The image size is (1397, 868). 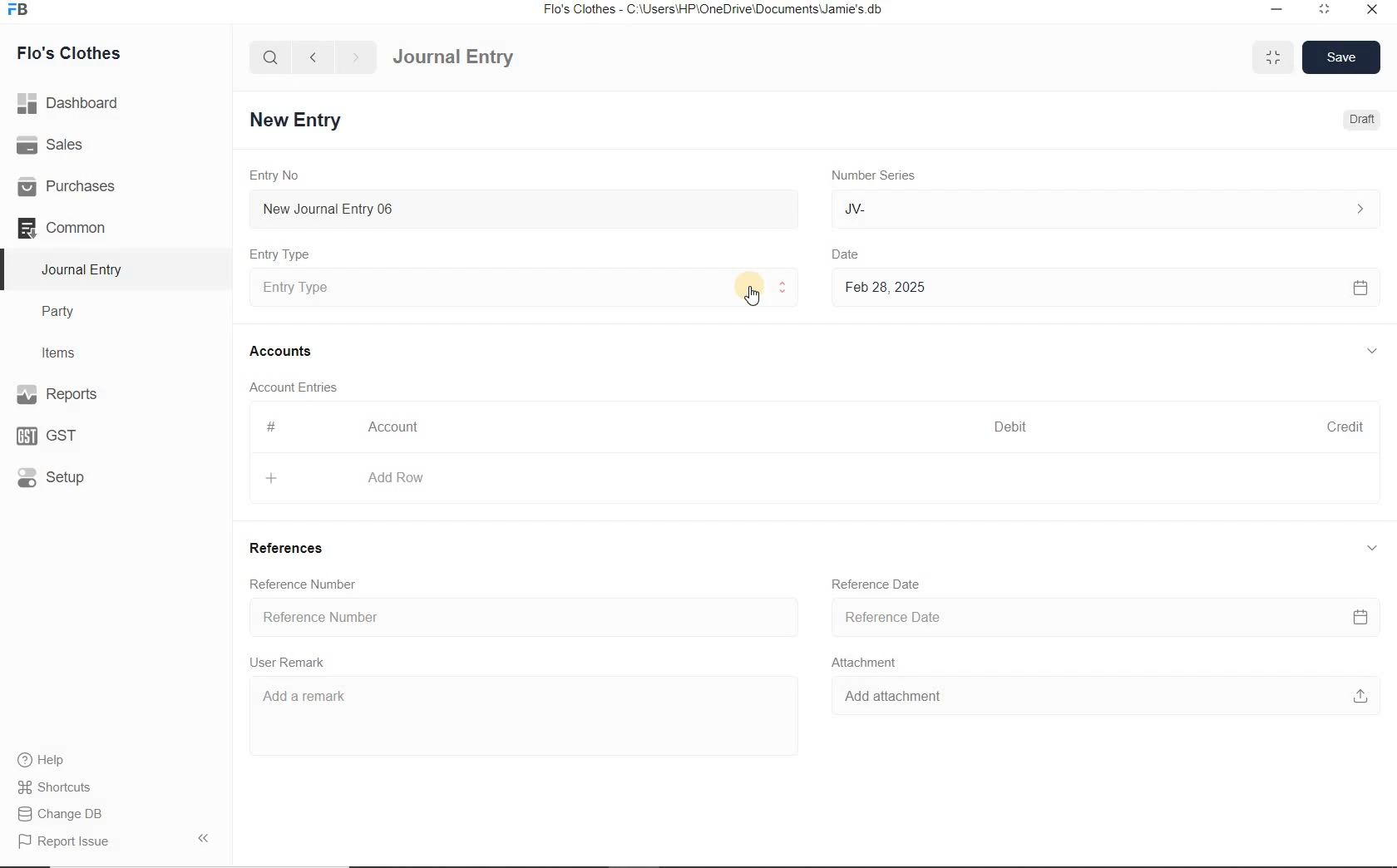 What do you see at coordinates (74, 101) in the screenshot?
I see `Dashboard` at bounding box center [74, 101].